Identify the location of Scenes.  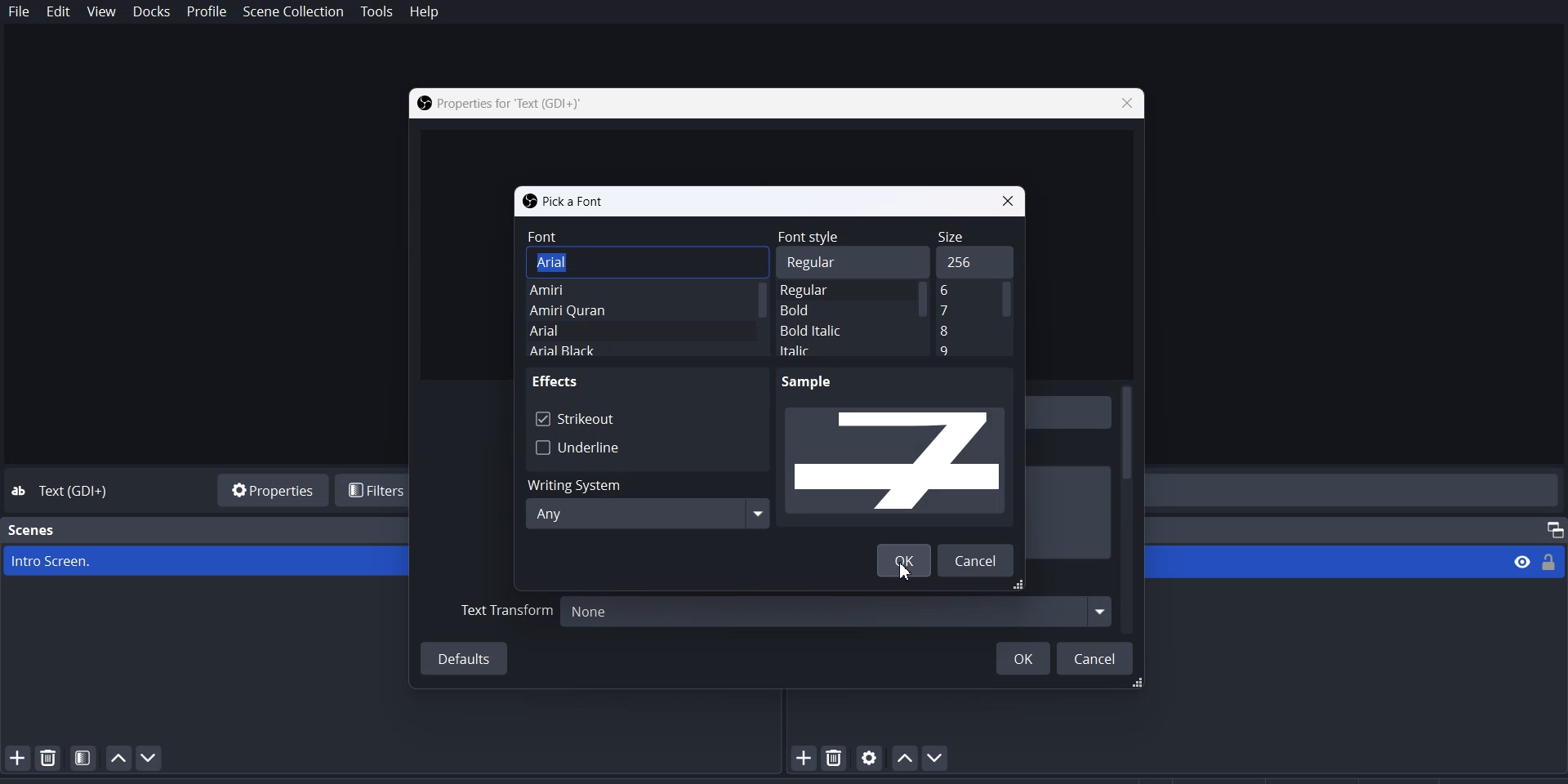
(206, 561).